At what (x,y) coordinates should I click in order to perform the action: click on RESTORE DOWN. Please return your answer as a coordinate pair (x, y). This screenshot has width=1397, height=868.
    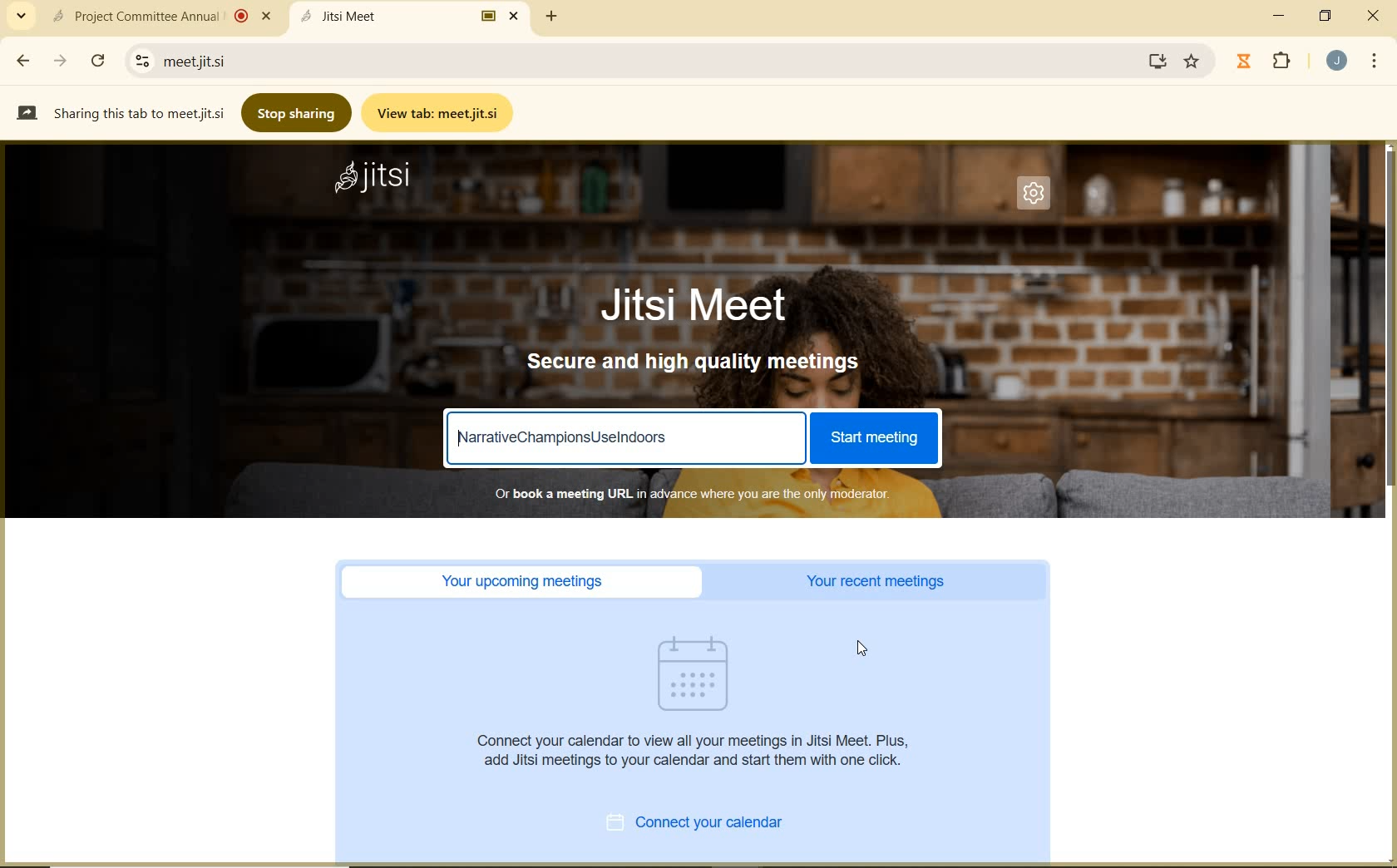
    Looking at the image, I should click on (1325, 16).